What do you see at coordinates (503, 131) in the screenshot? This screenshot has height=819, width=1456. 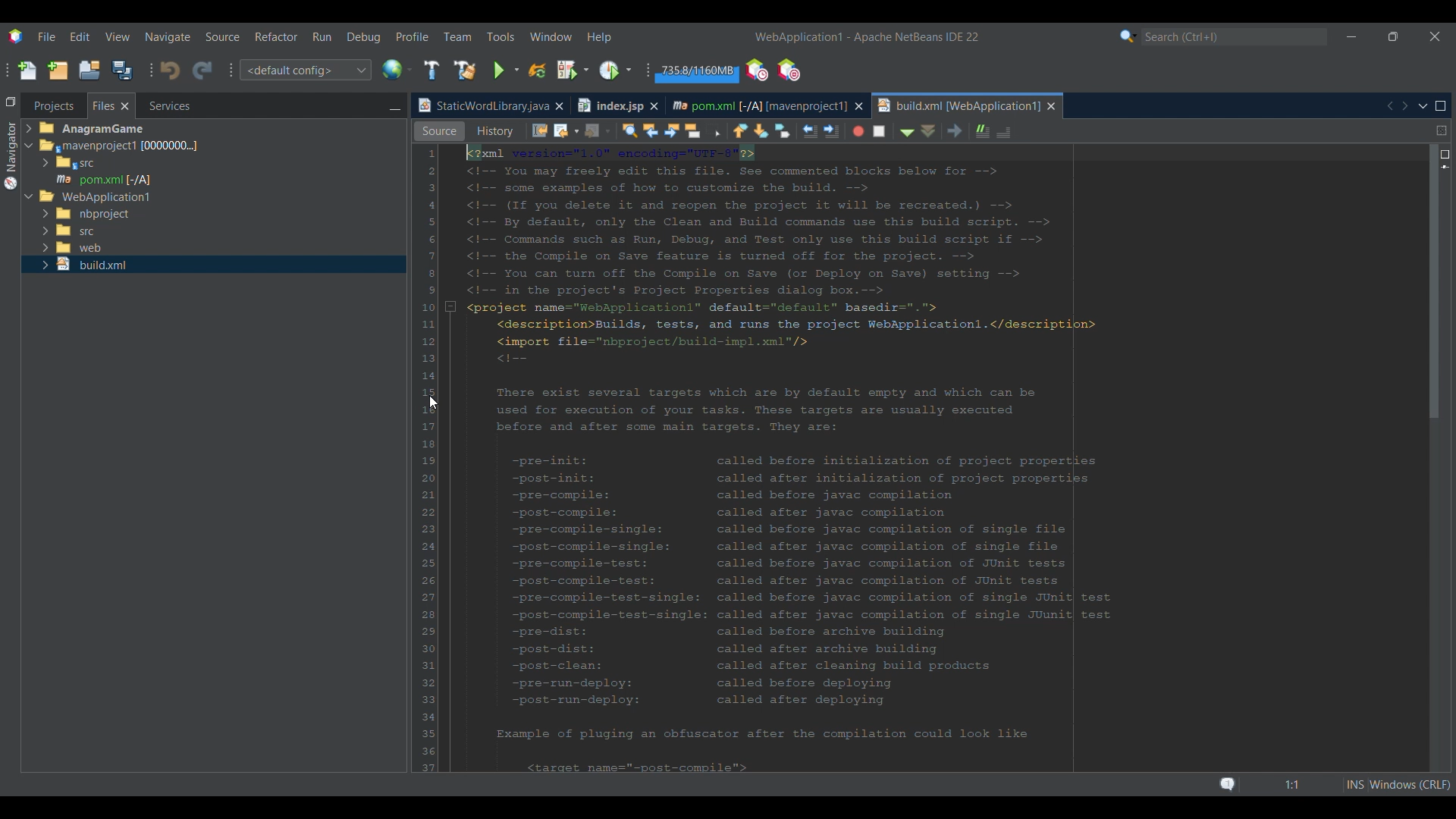 I see `Graph view` at bounding box center [503, 131].